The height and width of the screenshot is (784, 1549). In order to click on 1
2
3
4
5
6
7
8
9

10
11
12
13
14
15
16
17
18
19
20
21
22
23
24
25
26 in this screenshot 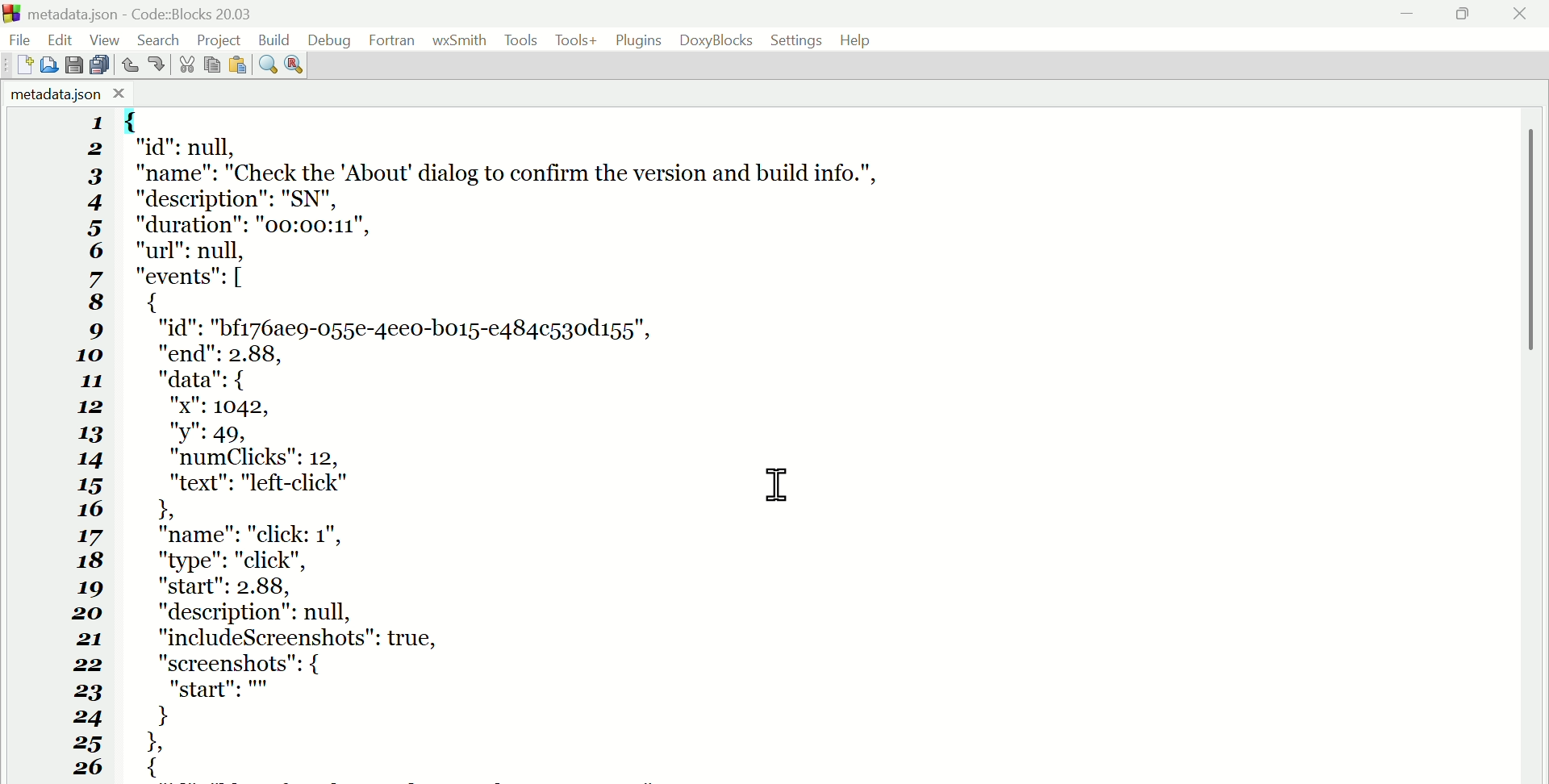, I will do `click(82, 447)`.